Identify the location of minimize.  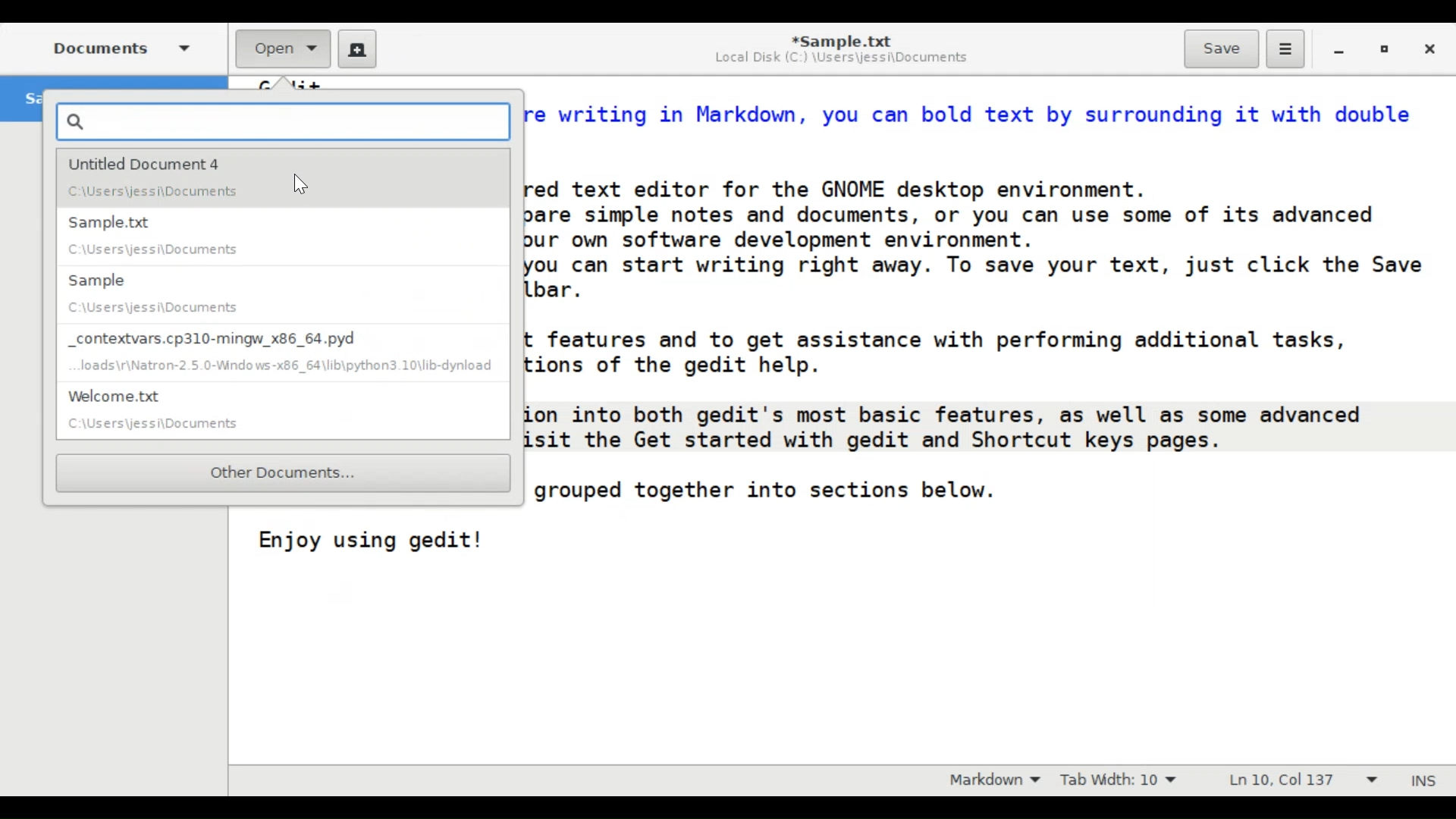
(1341, 49).